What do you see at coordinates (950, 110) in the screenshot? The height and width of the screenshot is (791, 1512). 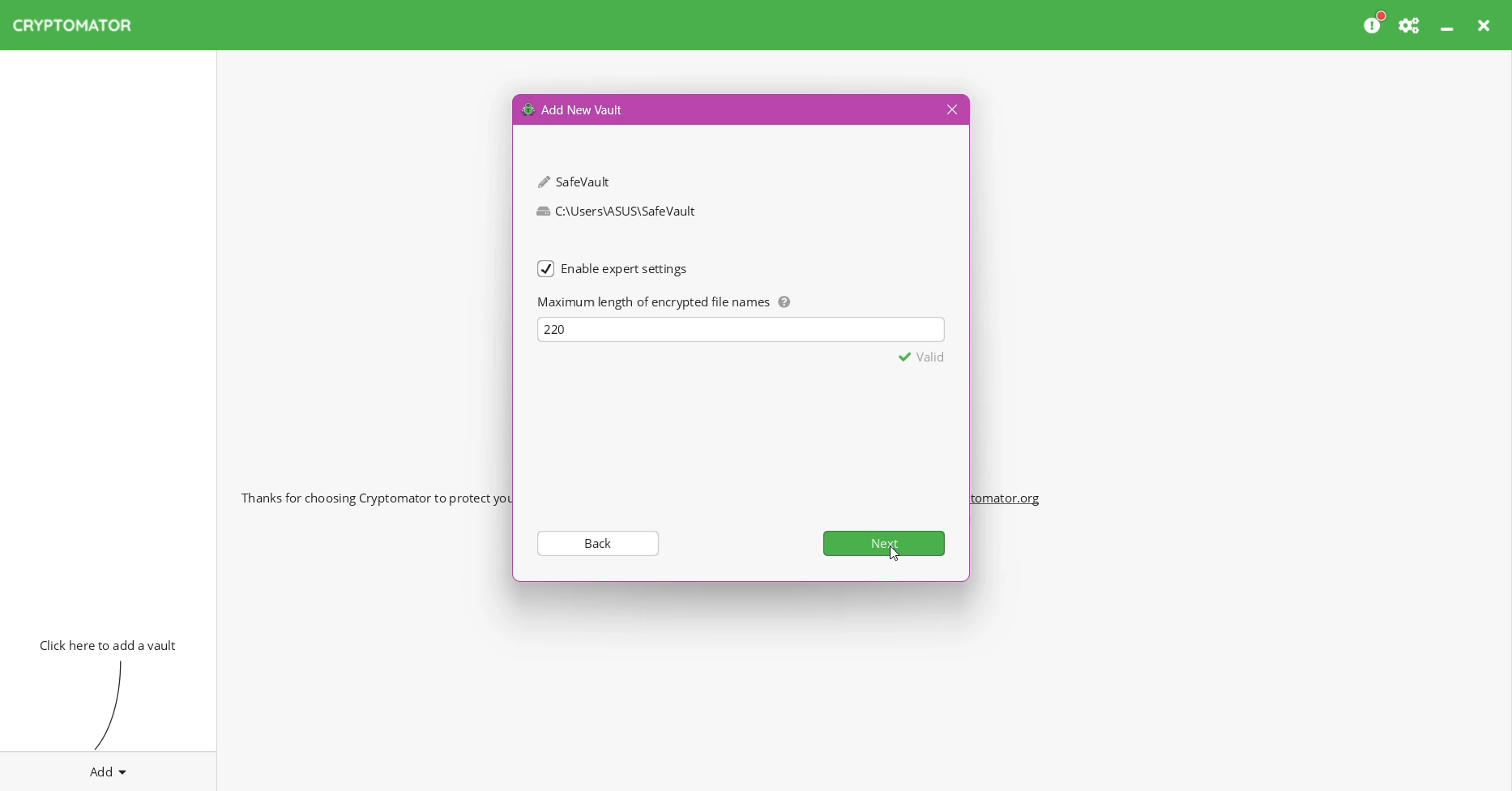 I see `Close` at bounding box center [950, 110].